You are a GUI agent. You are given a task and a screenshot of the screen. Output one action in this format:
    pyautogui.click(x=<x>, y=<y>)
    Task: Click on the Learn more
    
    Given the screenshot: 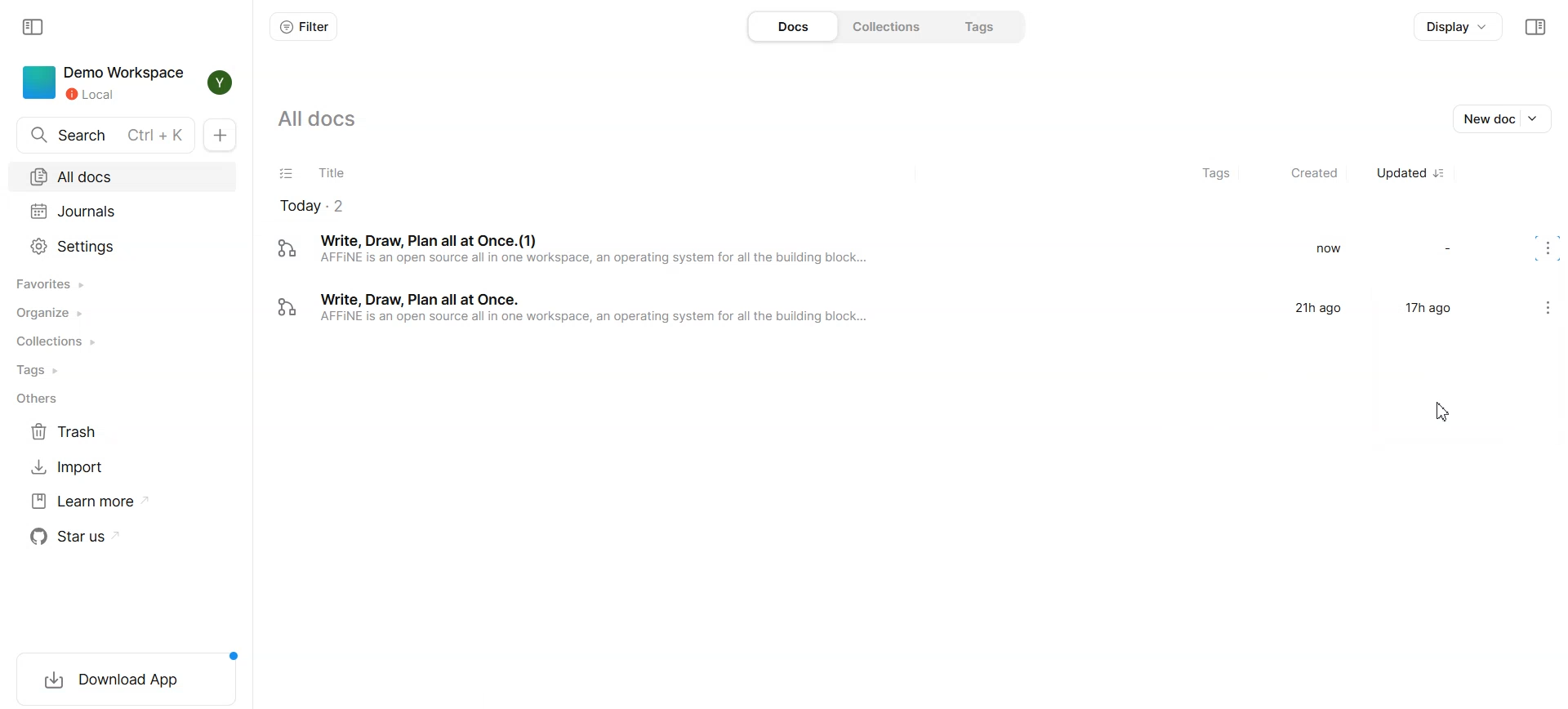 What is the action you would take?
    pyautogui.click(x=124, y=502)
    